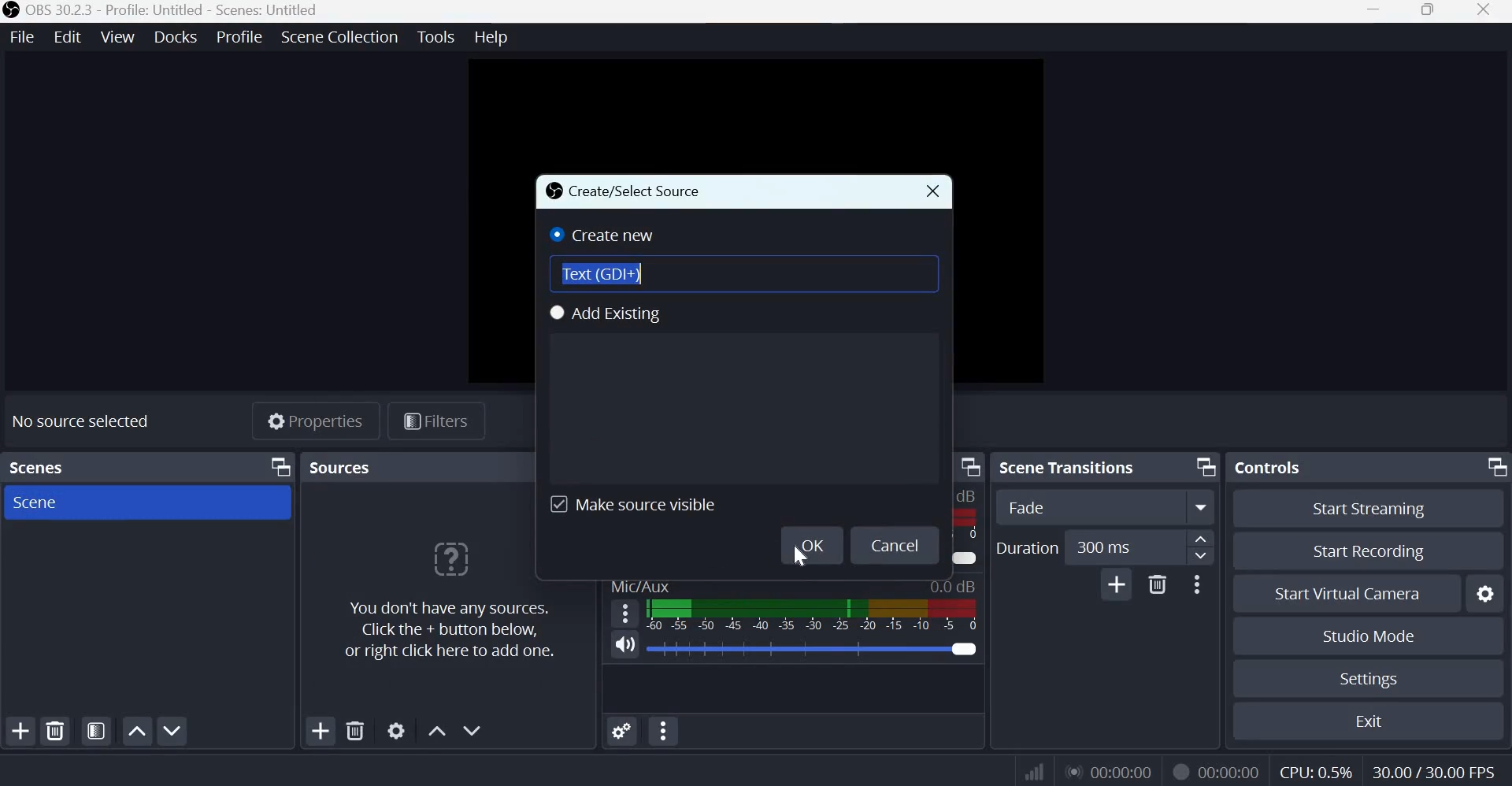 The width and height of the screenshot is (1512, 786). What do you see at coordinates (96, 732) in the screenshot?
I see `Open scene filters` at bounding box center [96, 732].